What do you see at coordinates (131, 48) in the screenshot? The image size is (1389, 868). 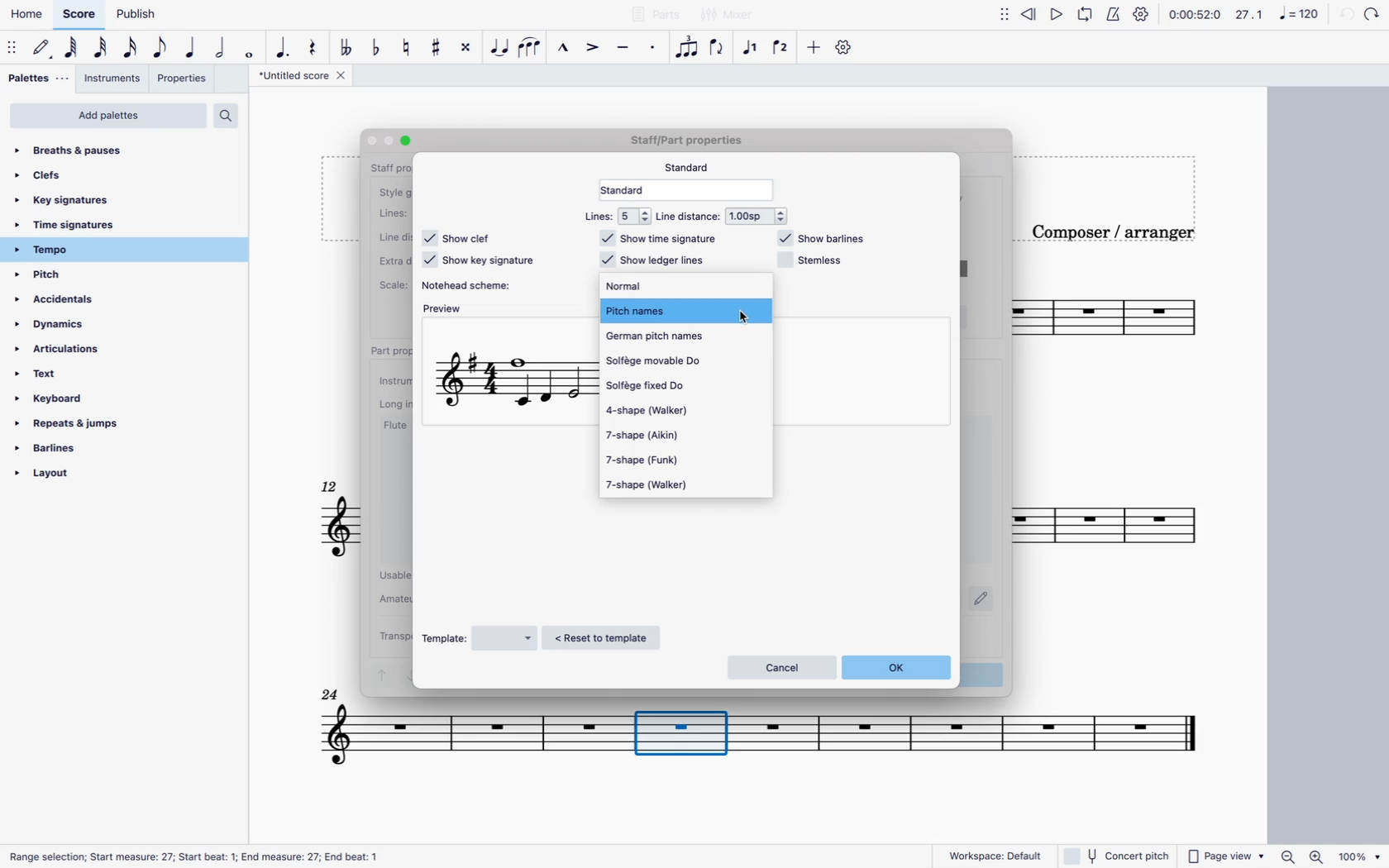 I see `16th note` at bounding box center [131, 48].